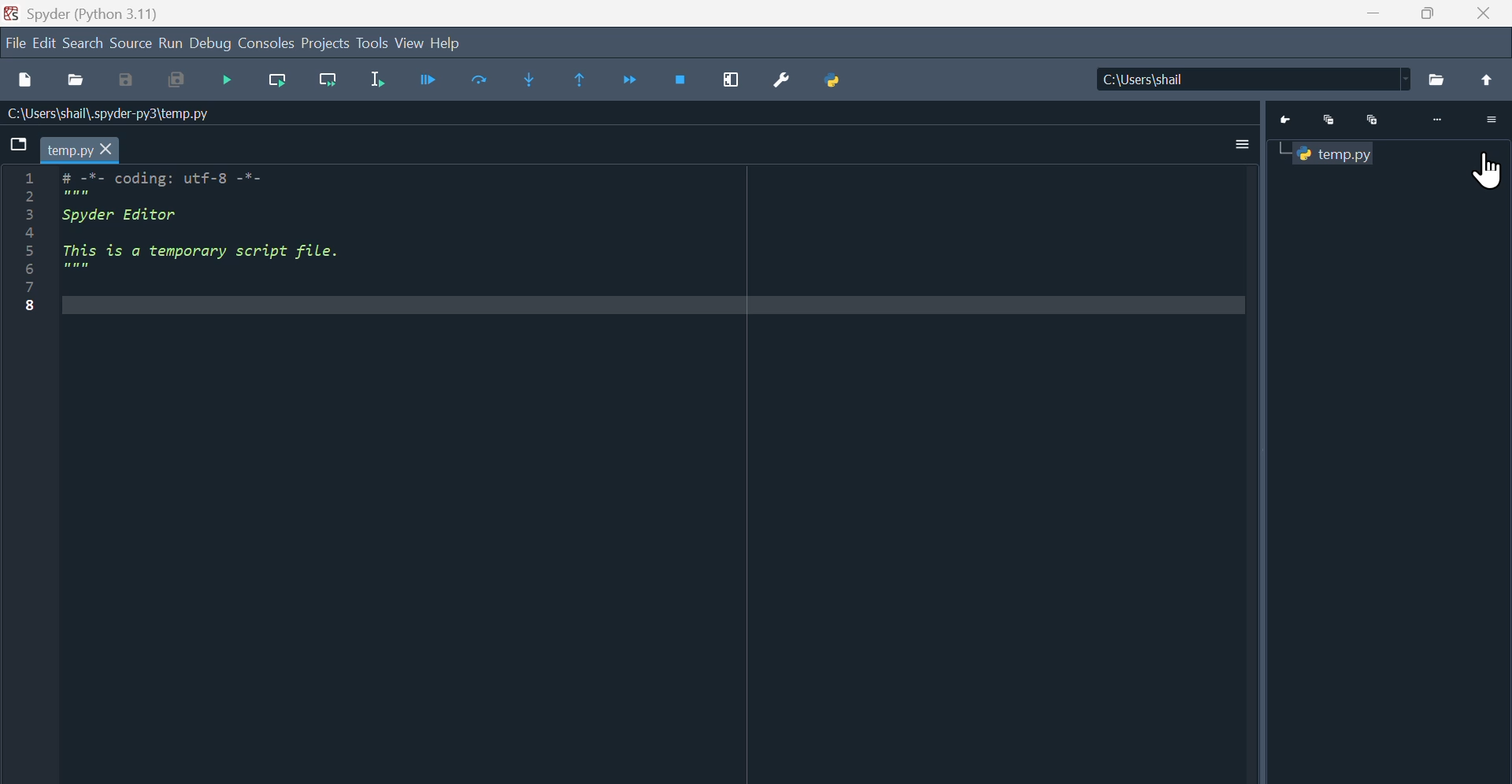  Describe the element at coordinates (1334, 153) in the screenshot. I see `temp.py` at that location.